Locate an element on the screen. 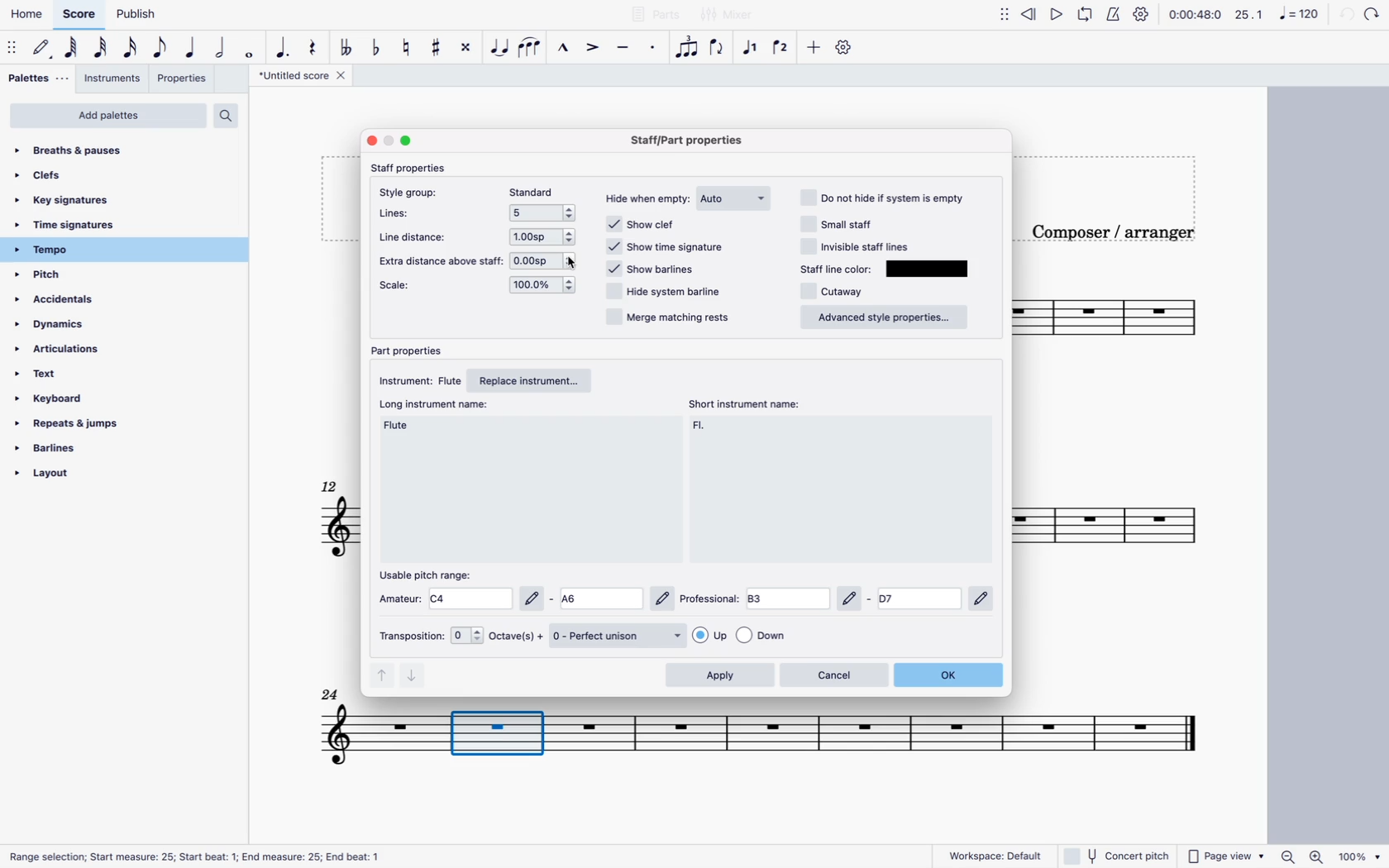 This screenshot has height=868, width=1389. lines is located at coordinates (395, 215).